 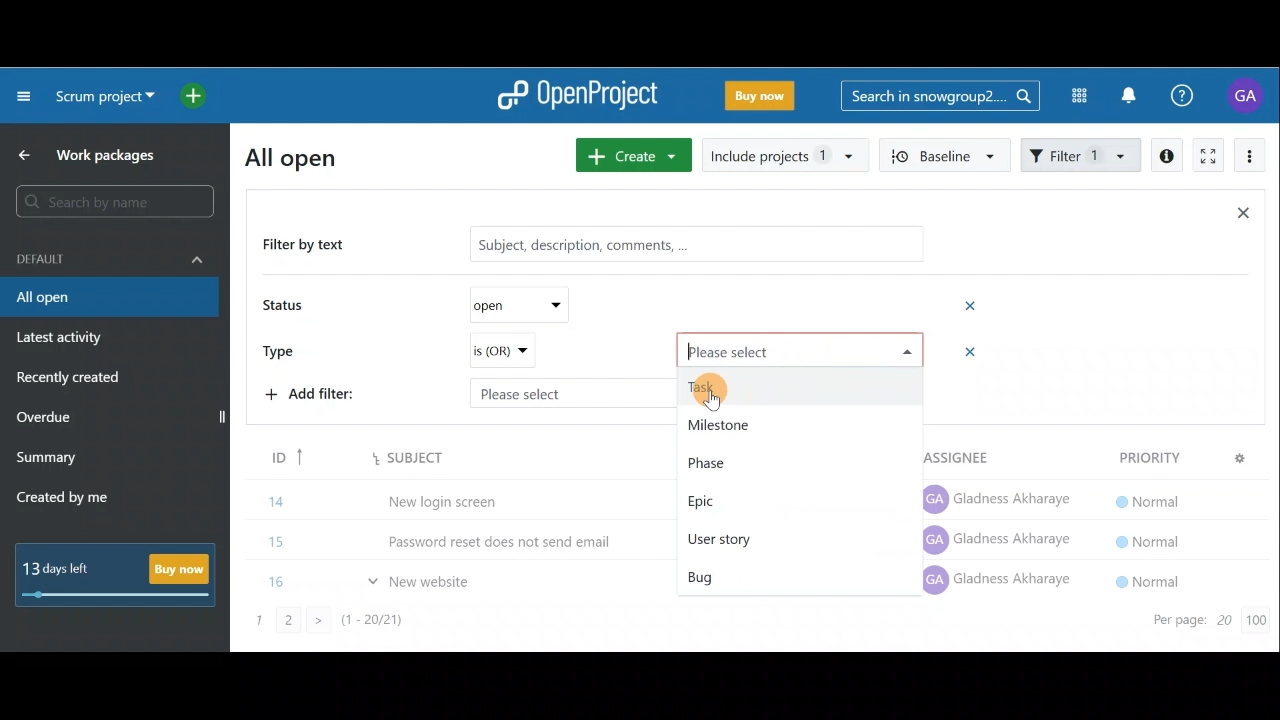 What do you see at coordinates (108, 298) in the screenshot?
I see `All open` at bounding box center [108, 298].